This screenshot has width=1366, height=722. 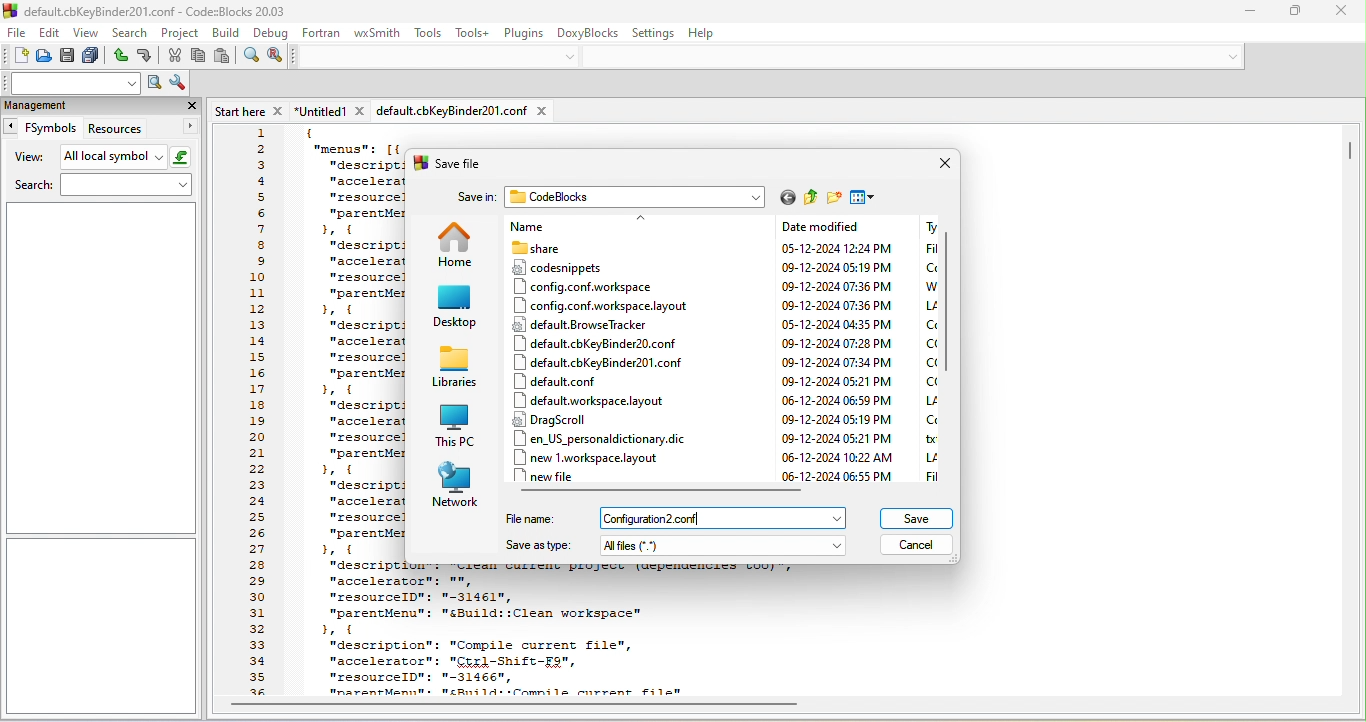 I want to click on default conf, so click(x=565, y=382).